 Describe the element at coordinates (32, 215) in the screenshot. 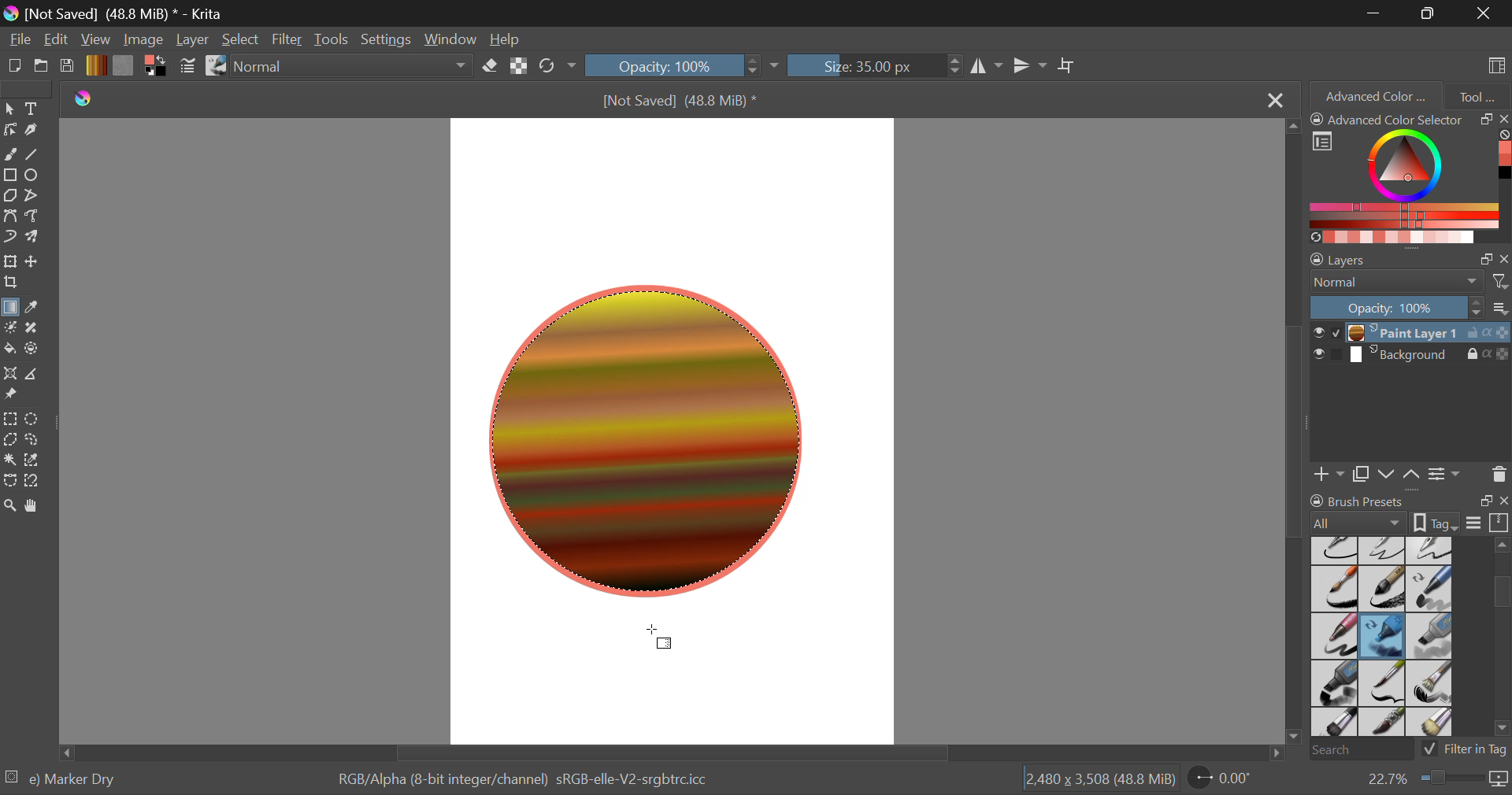

I see `Freehand Path Tool` at that location.